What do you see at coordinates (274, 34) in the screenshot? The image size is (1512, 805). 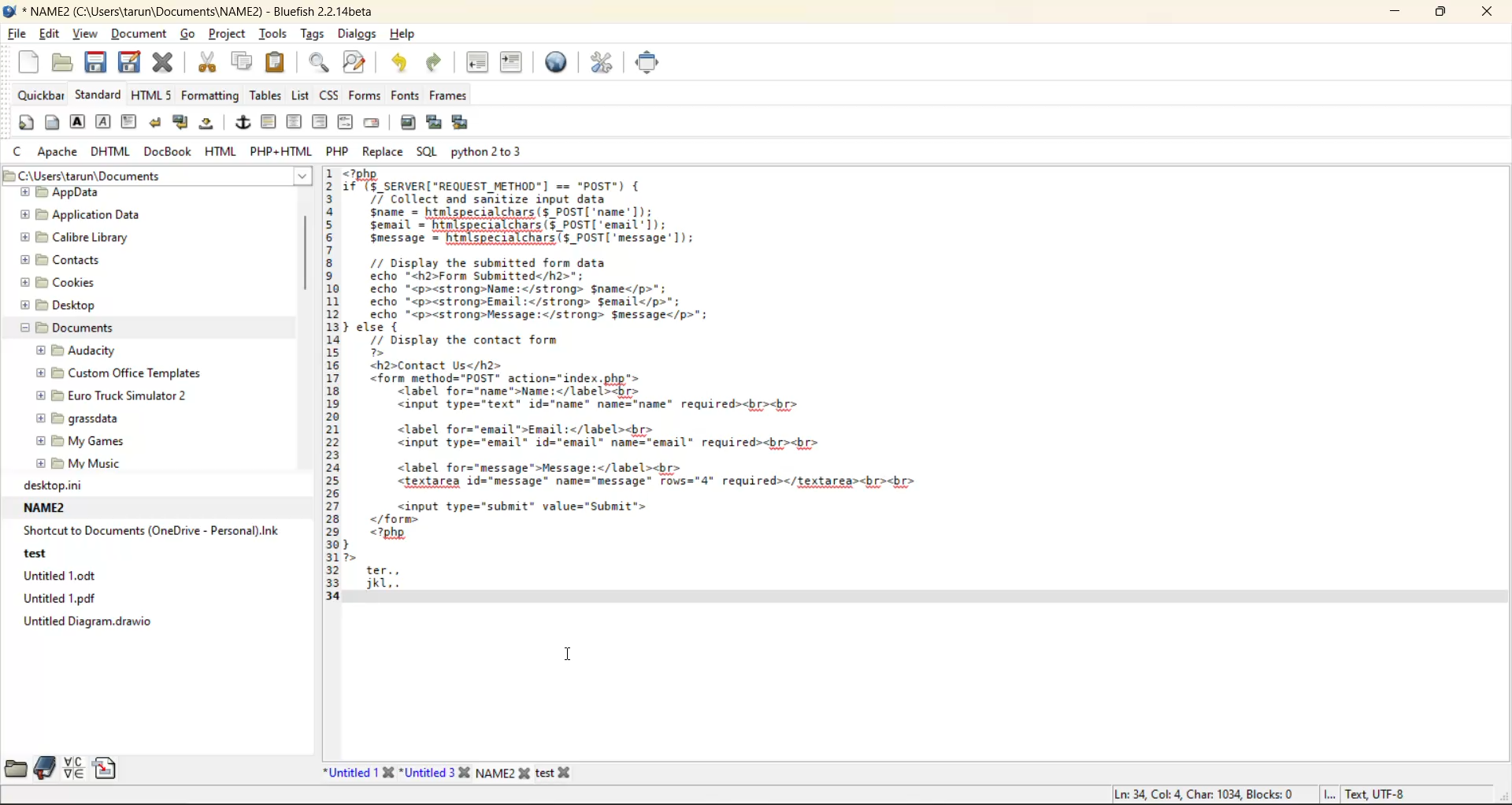 I see `tools` at bounding box center [274, 34].